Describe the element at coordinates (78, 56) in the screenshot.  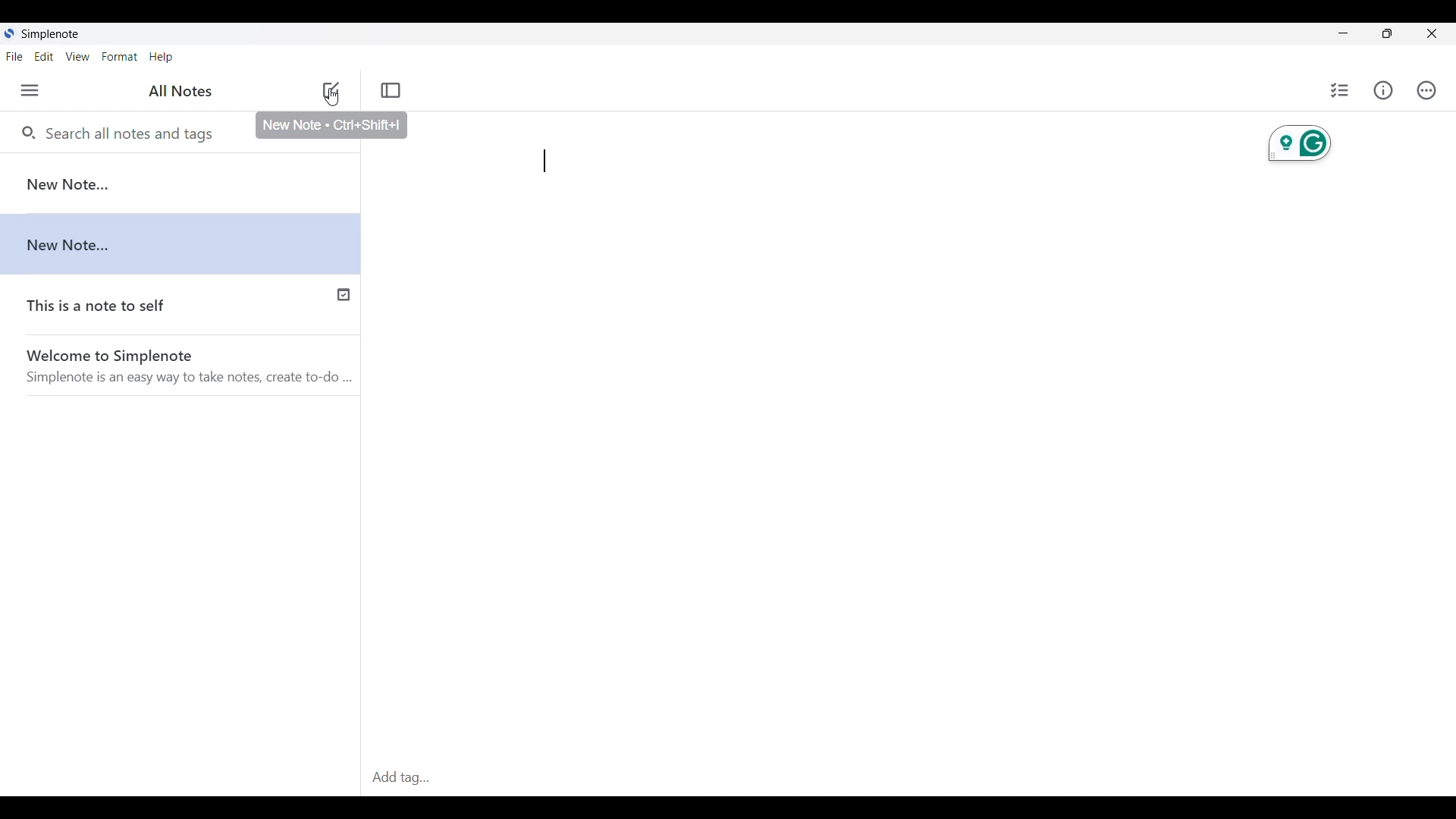
I see `View` at that location.